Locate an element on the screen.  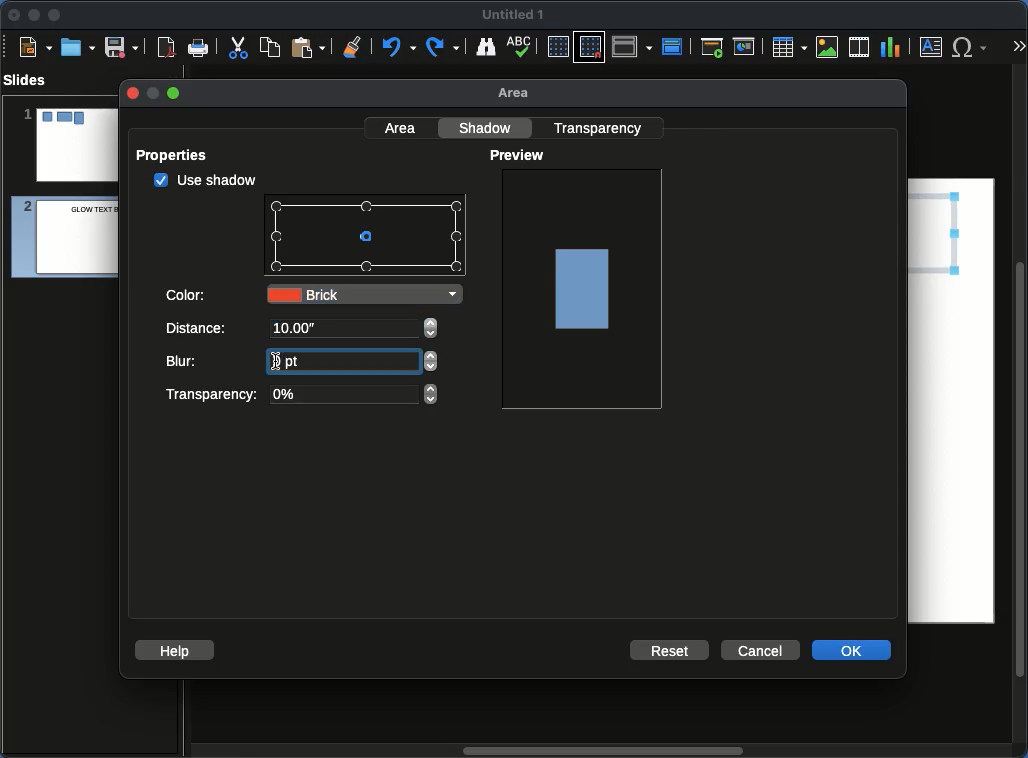
Current slide is located at coordinates (747, 47).